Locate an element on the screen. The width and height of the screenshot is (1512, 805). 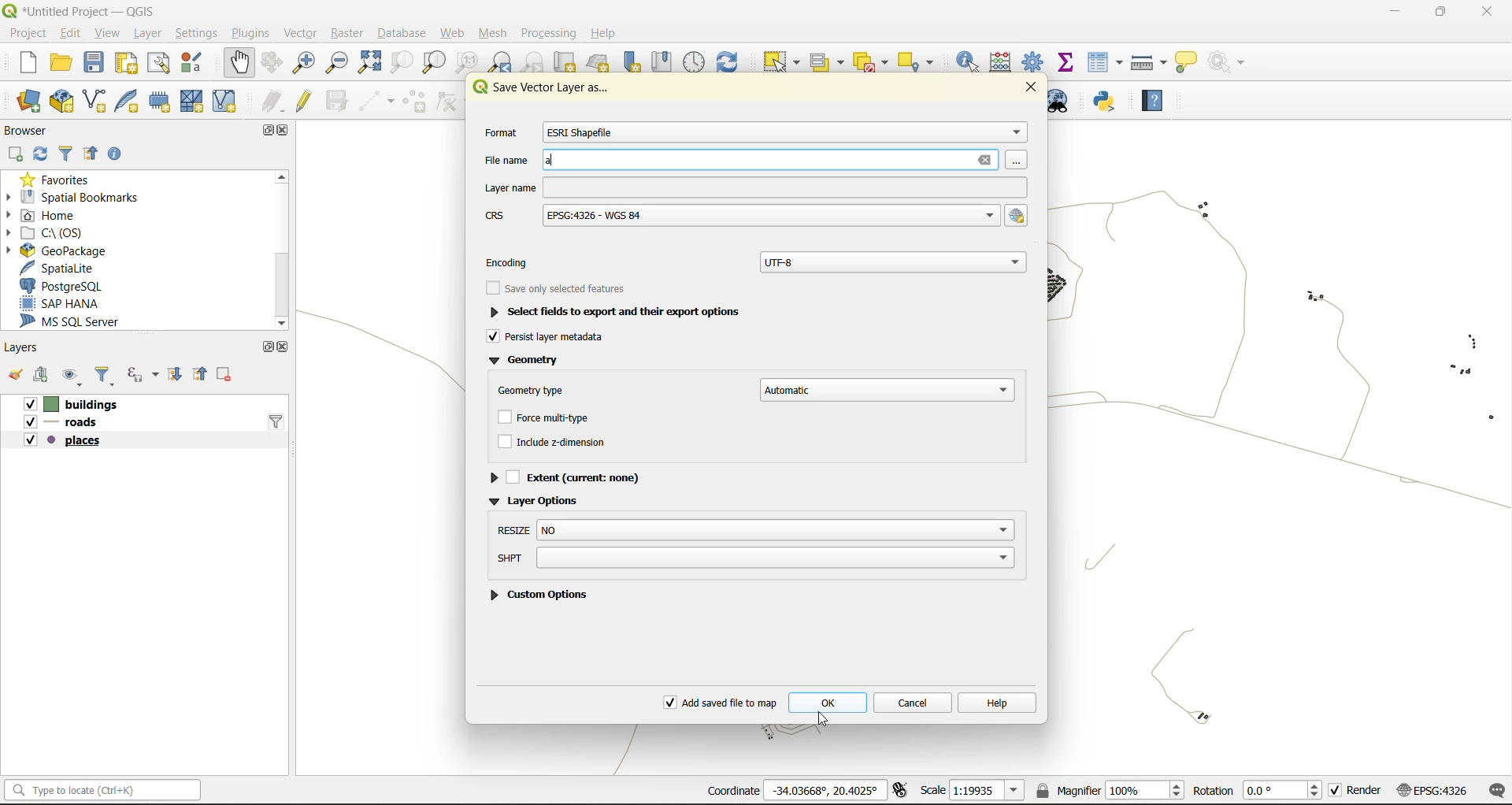
scrollbar is located at coordinates (283, 246).